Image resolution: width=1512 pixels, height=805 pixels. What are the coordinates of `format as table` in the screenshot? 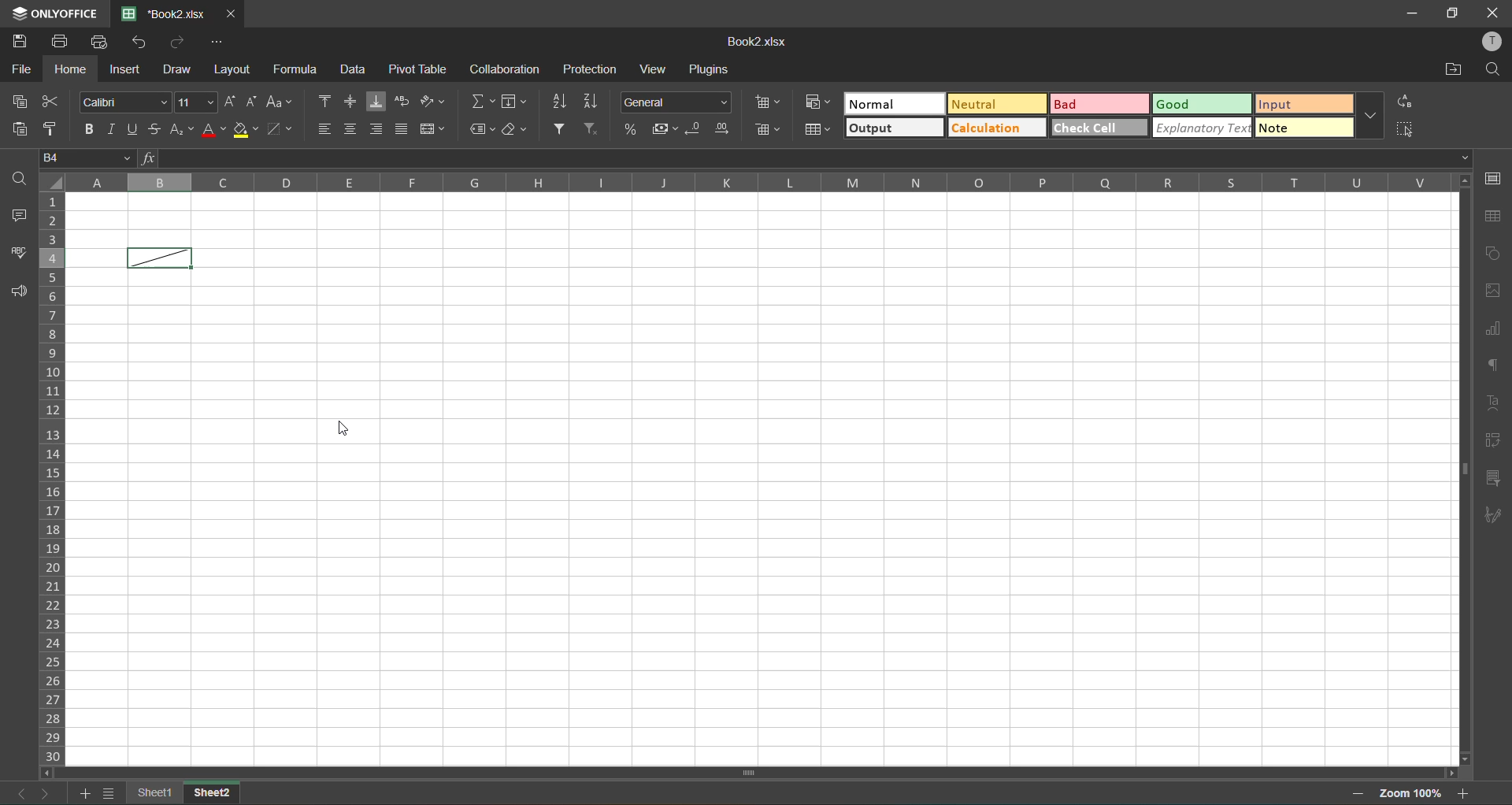 It's located at (821, 131).